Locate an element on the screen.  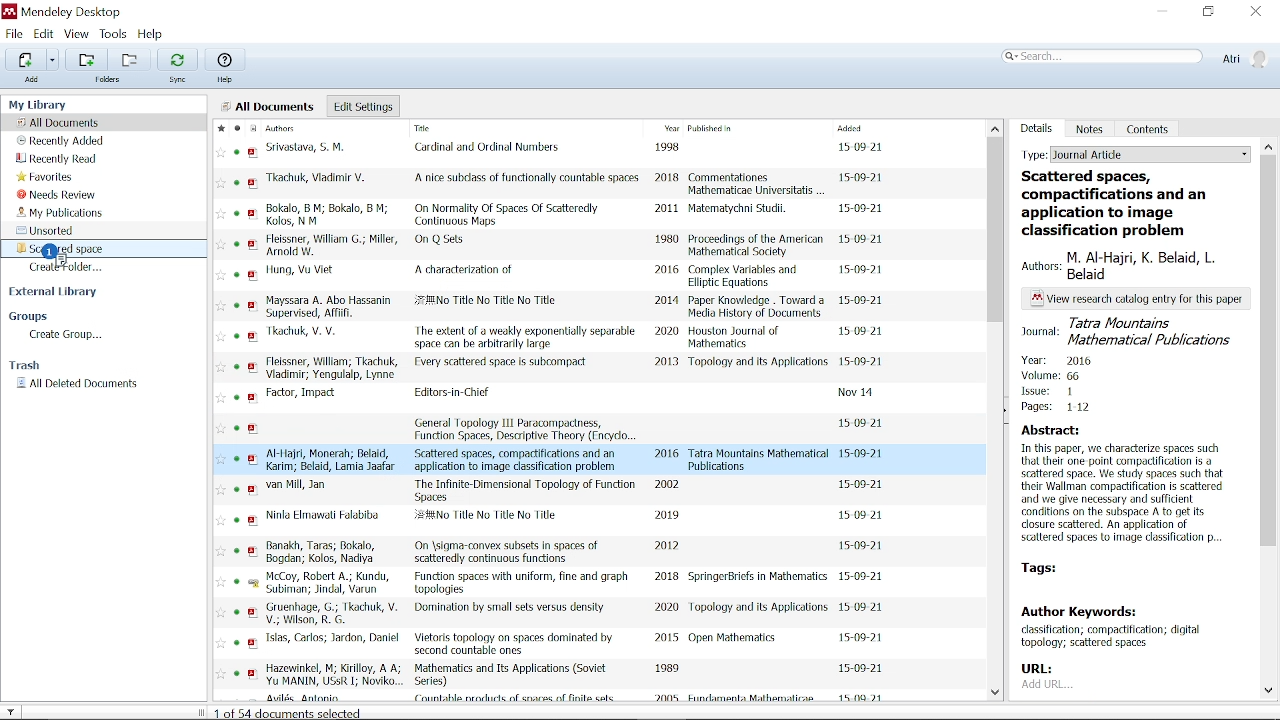
2019 is located at coordinates (666, 514).